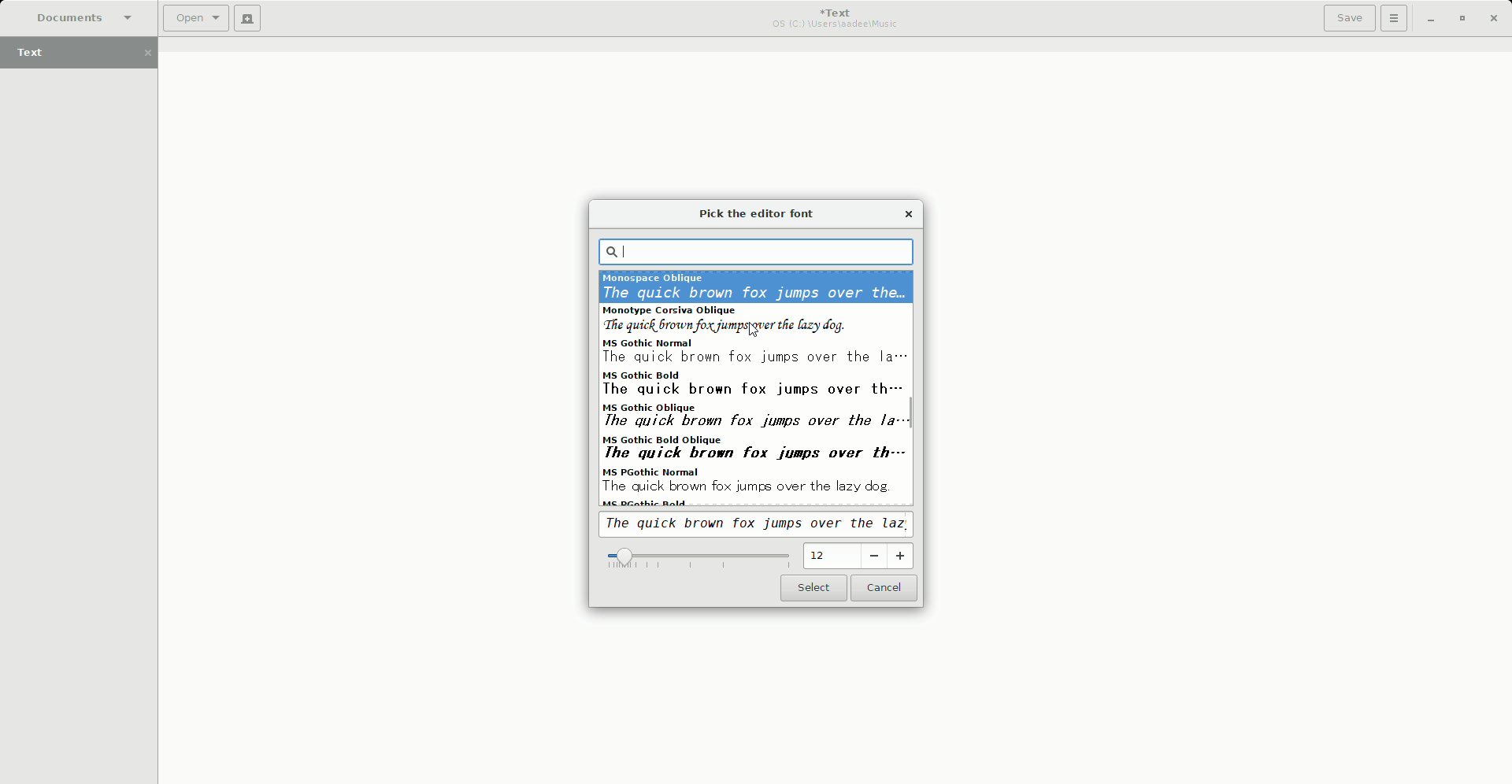 This screenshot has height=784, width=1512. Describe the element at coordinates (755, 252) in the screenshot. I see `` at that location.